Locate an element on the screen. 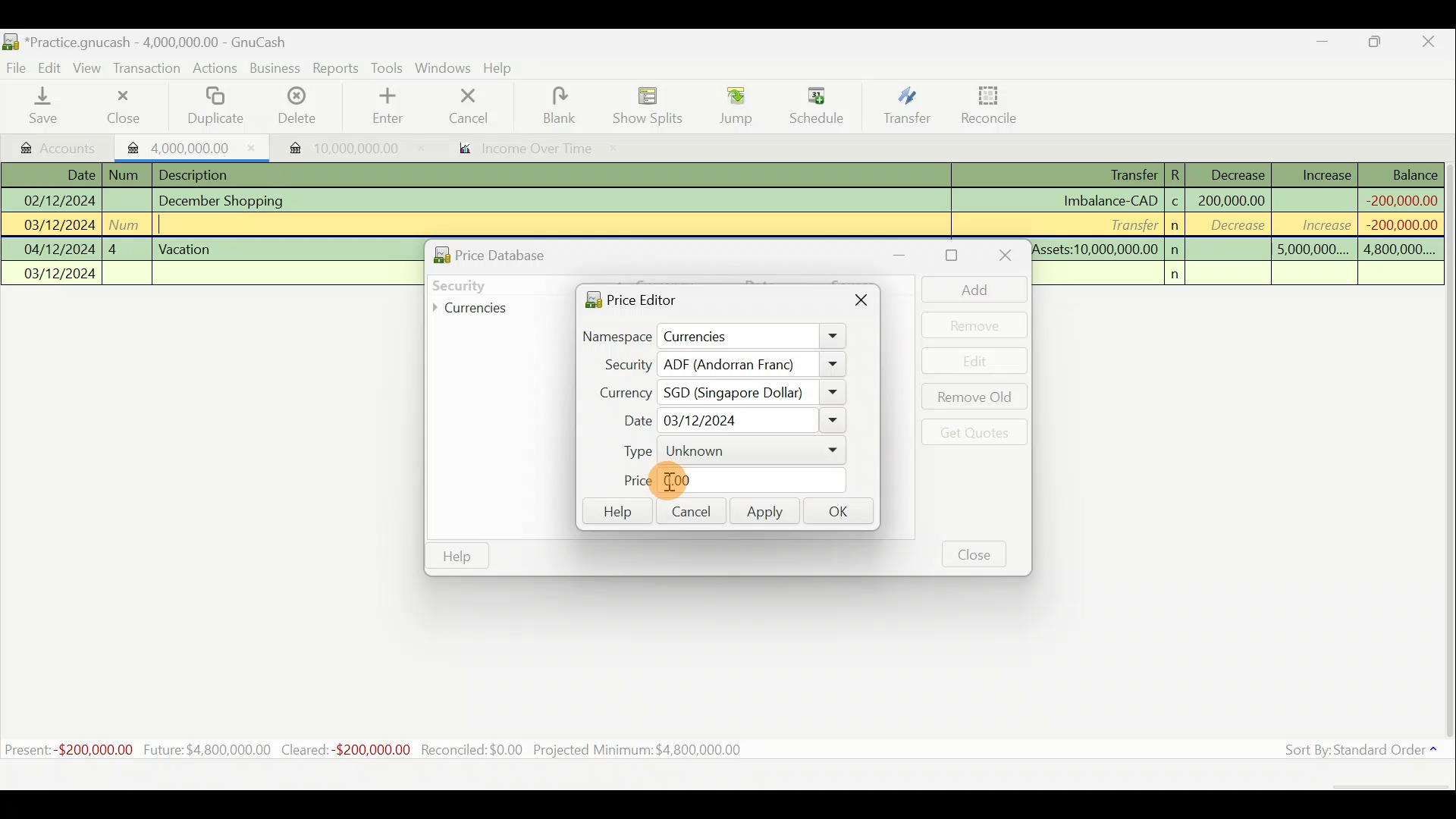 This screenshot has width=1456, height=819. Reconcile is located at coordinates (984, 105).